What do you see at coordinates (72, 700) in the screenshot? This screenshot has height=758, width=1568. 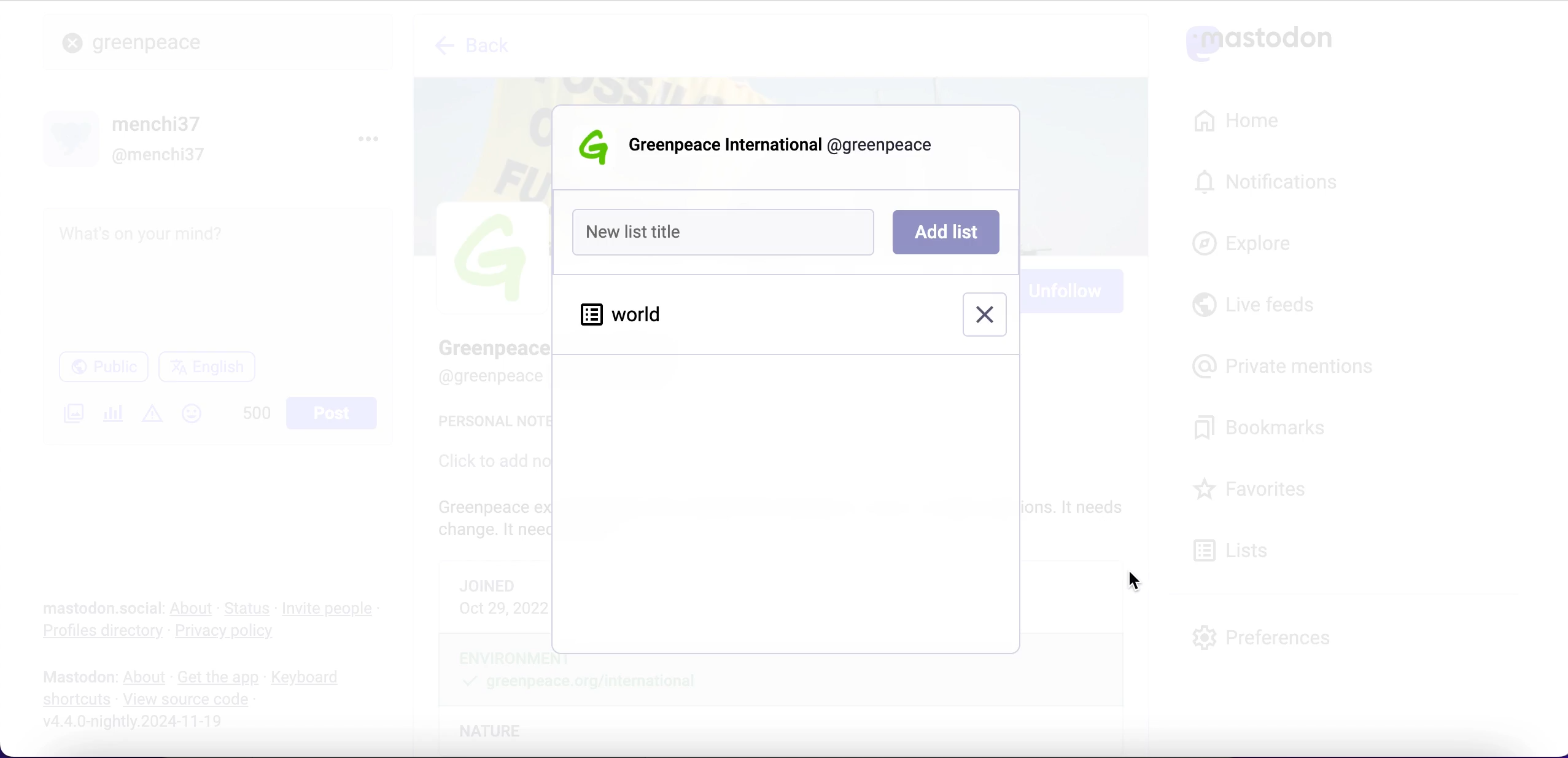 I see `shortcuts` at bounding box center [72, 700].